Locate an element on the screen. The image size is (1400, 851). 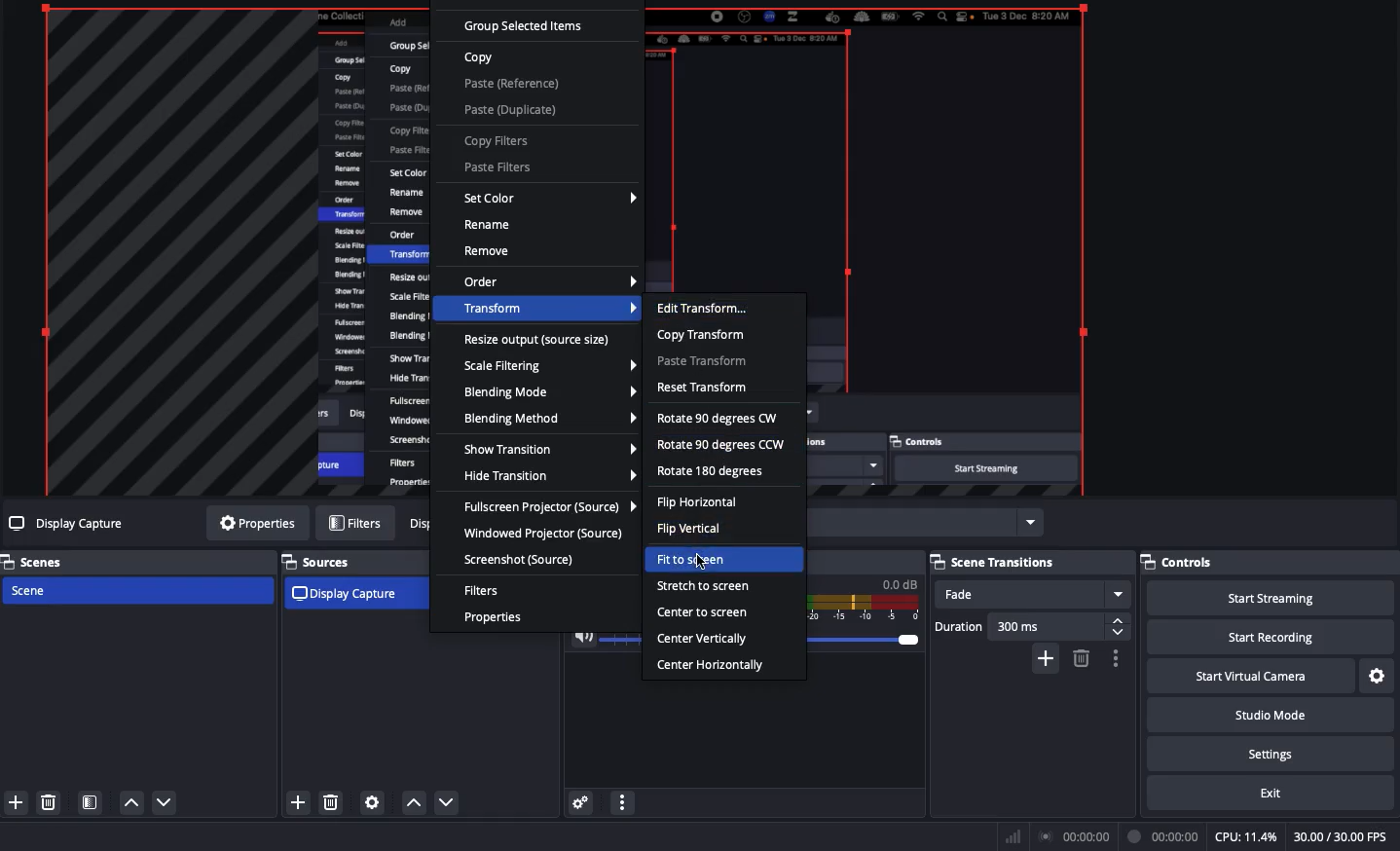
Center vertically is located at coordinates (704, 640).